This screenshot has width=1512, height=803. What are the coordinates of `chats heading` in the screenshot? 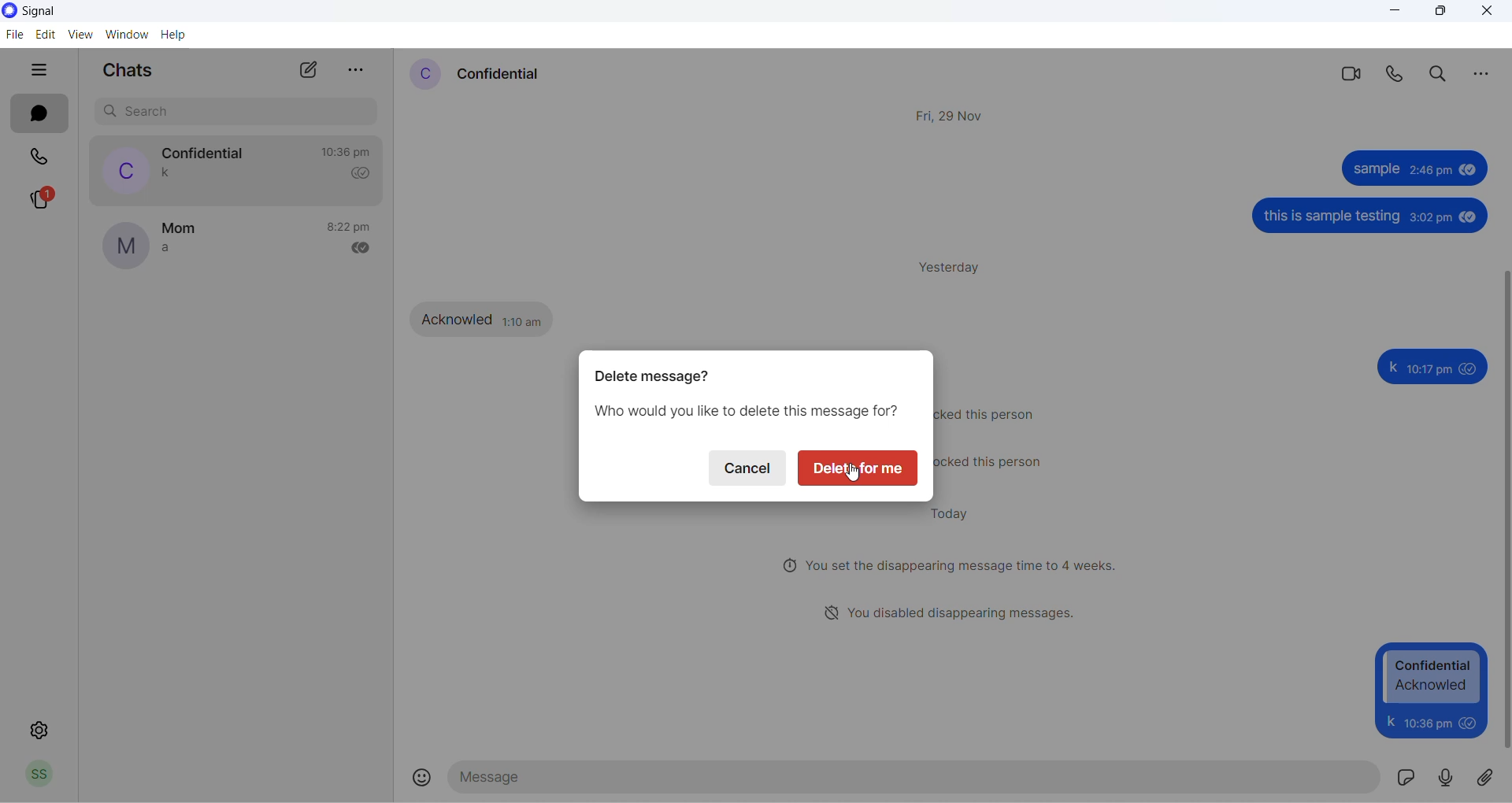 It's located at (135, 73).